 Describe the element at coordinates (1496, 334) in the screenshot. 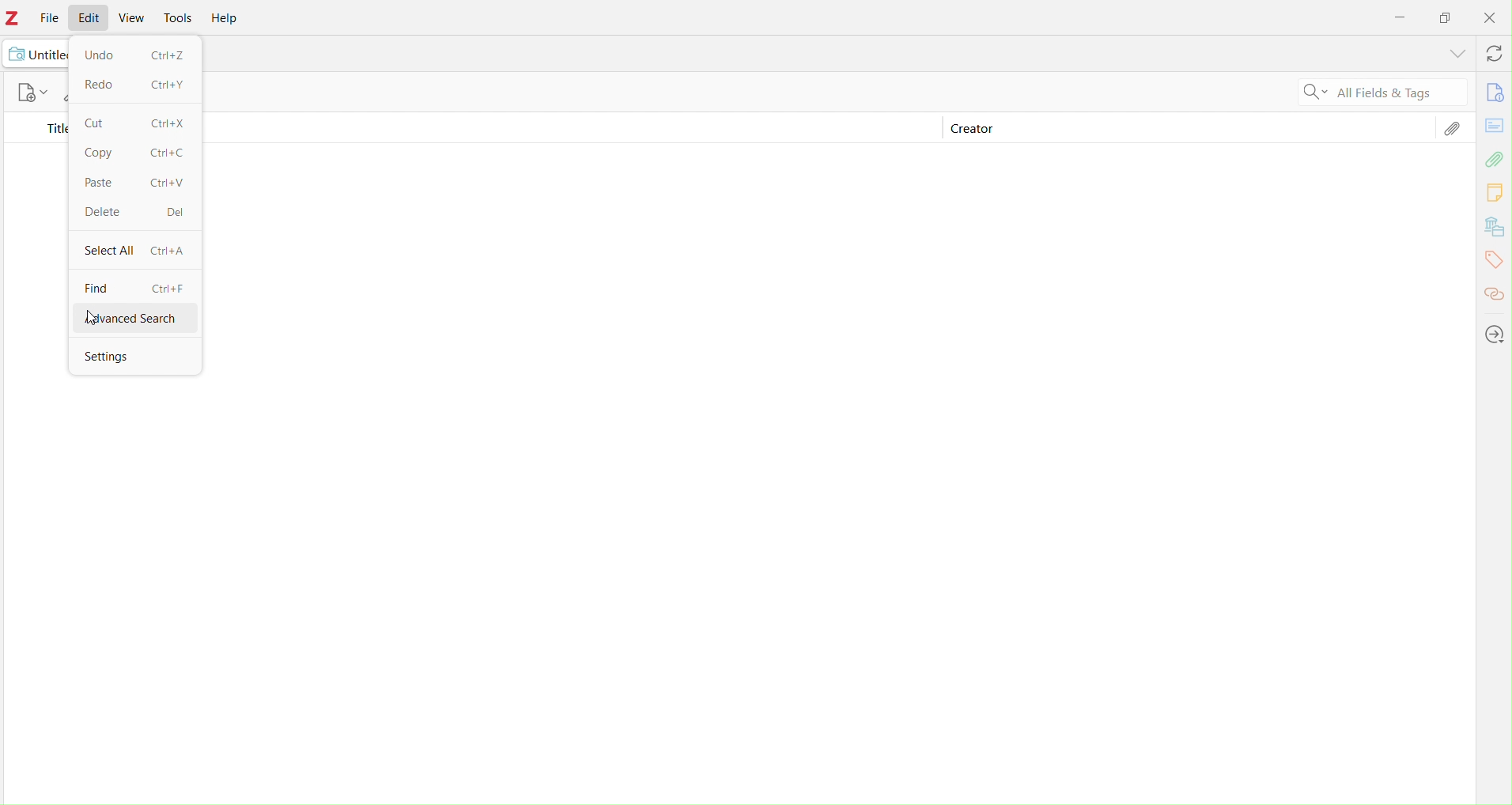

I see `Locate` at that location.